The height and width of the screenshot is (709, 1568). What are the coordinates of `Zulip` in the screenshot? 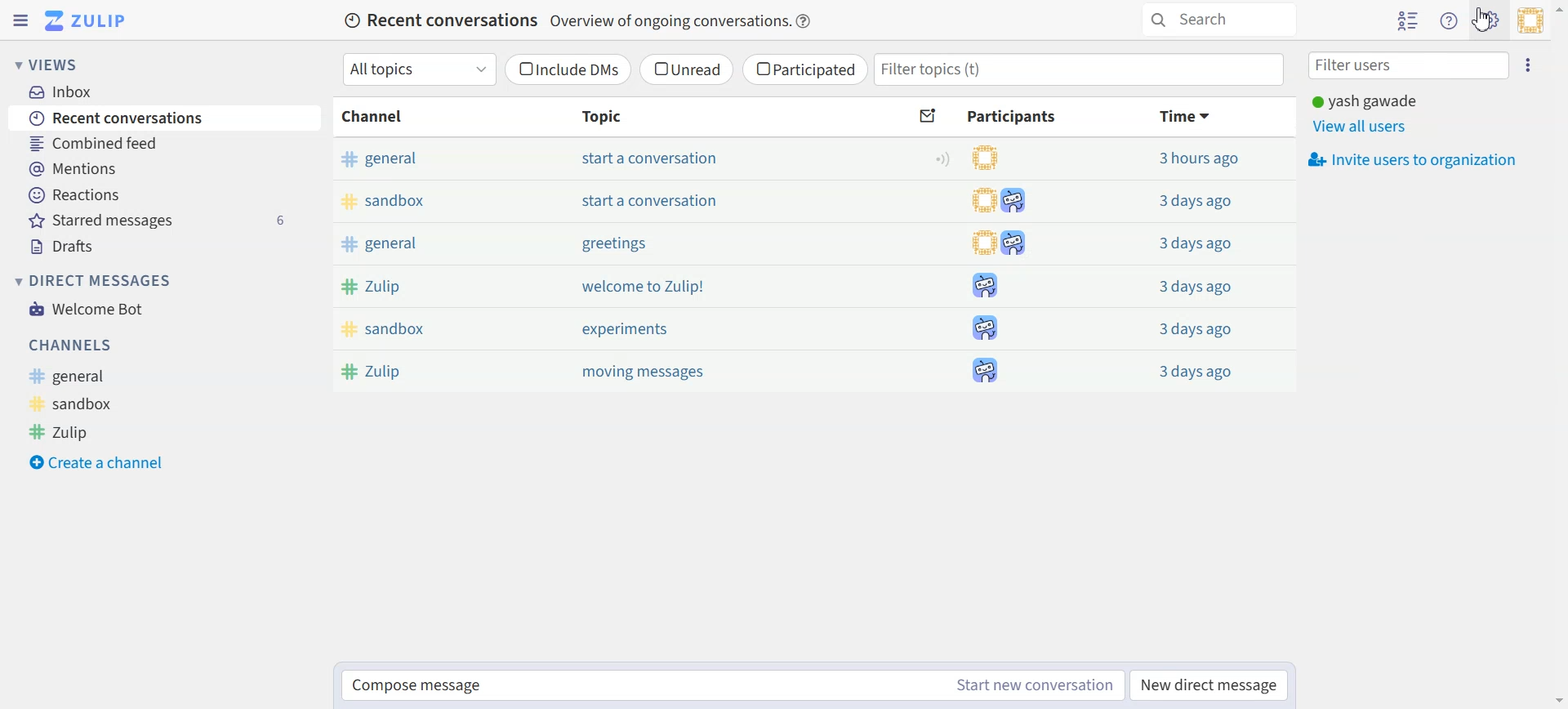 It's located at (381, 288).